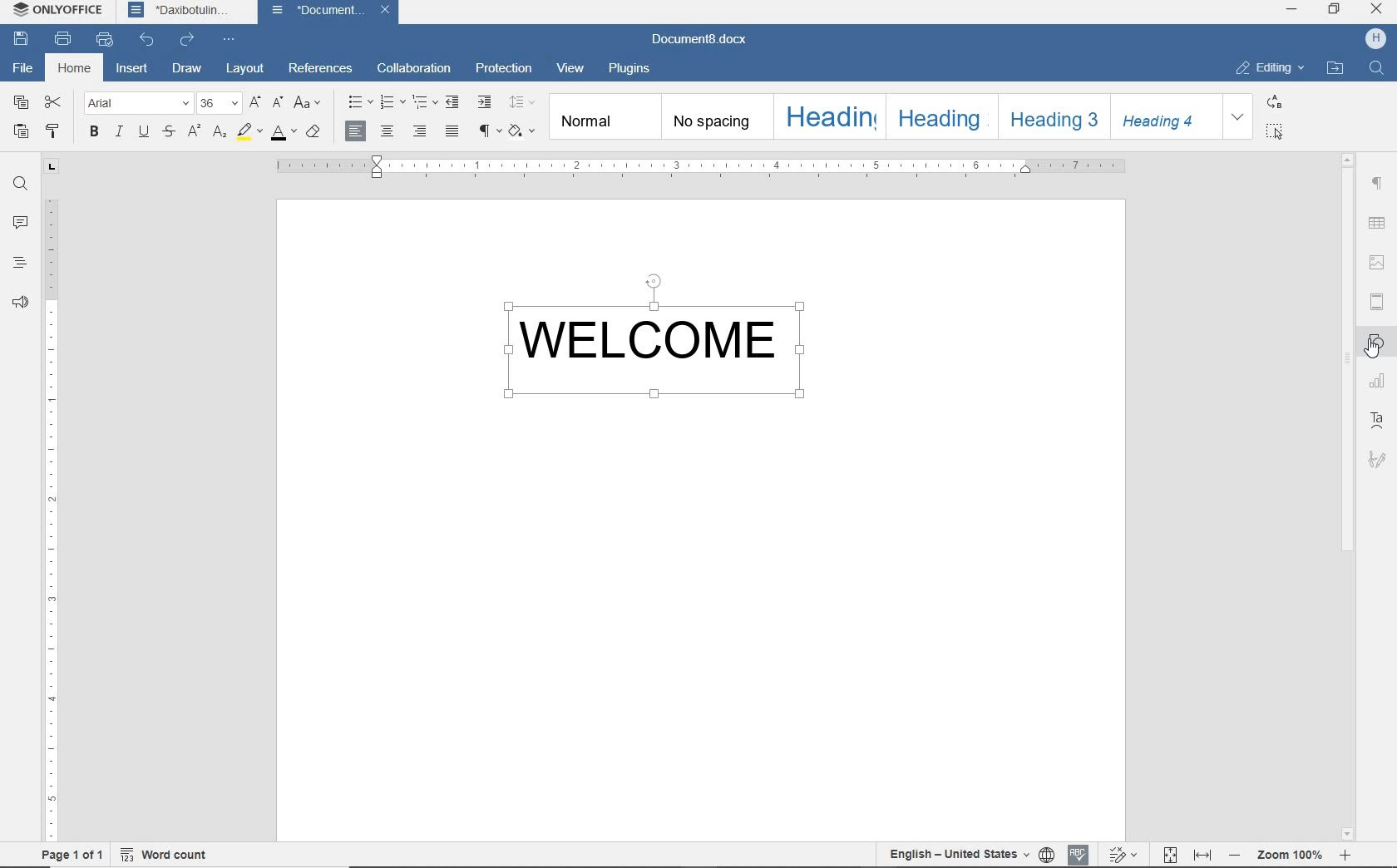 This screenshot has height=868, width=1397. Describe the element at coordinates (1380, 343) in the screenshot. I see `SHAPE` at that location.